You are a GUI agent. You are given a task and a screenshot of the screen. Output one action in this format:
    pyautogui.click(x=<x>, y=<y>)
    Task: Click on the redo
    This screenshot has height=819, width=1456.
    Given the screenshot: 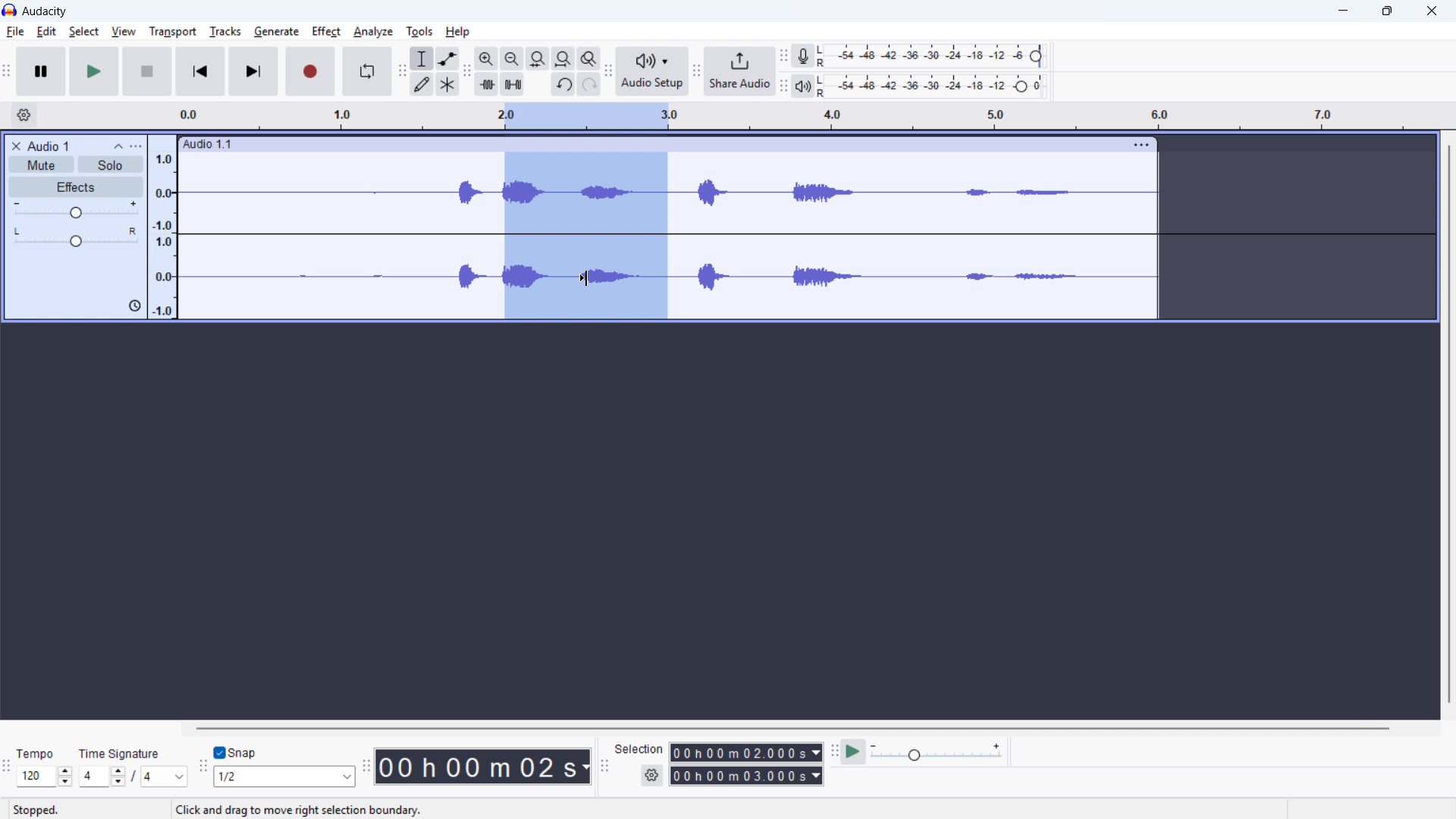 What is the action you would take?
    pyautogui.click(x=589, y=83)
    